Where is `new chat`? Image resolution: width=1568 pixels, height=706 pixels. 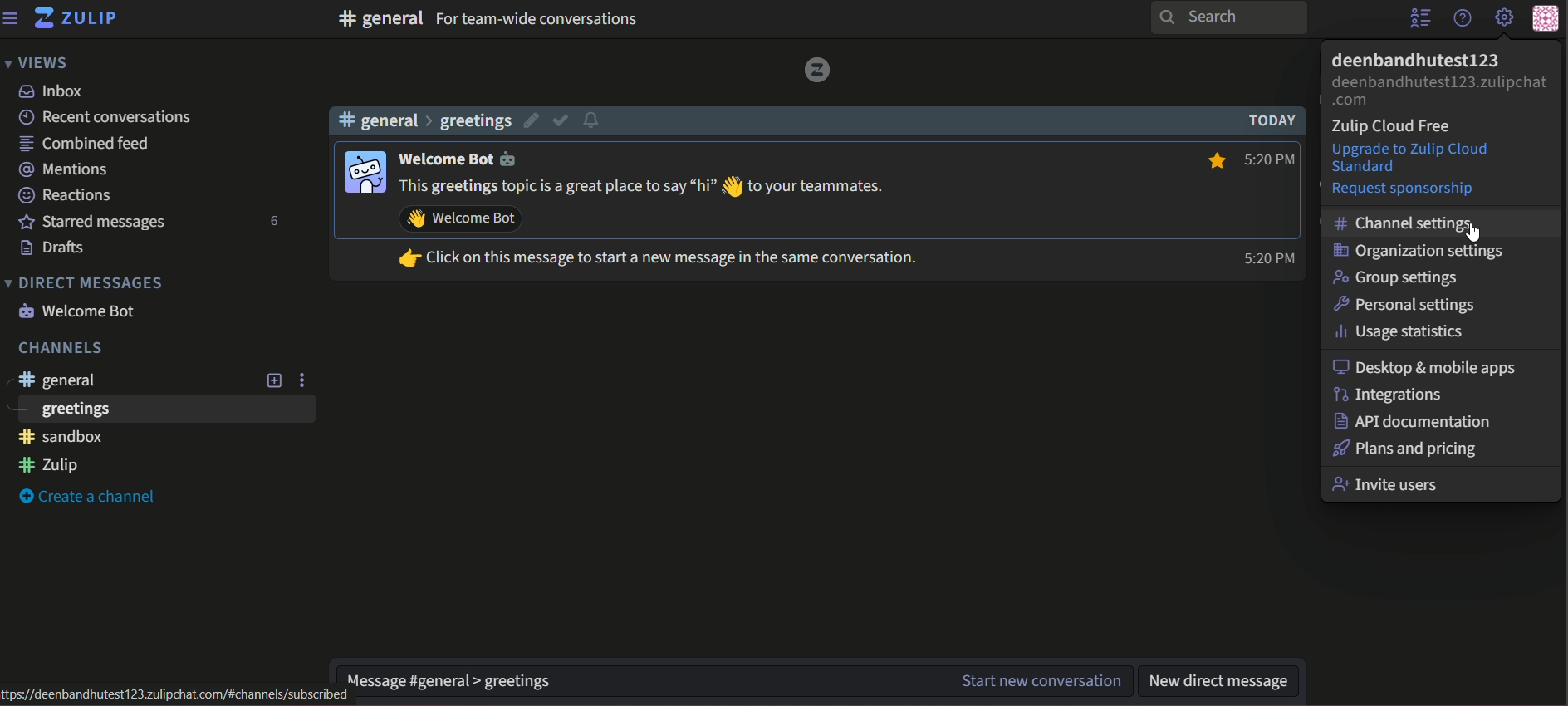 new chat is located at coordinates (1037, 681).